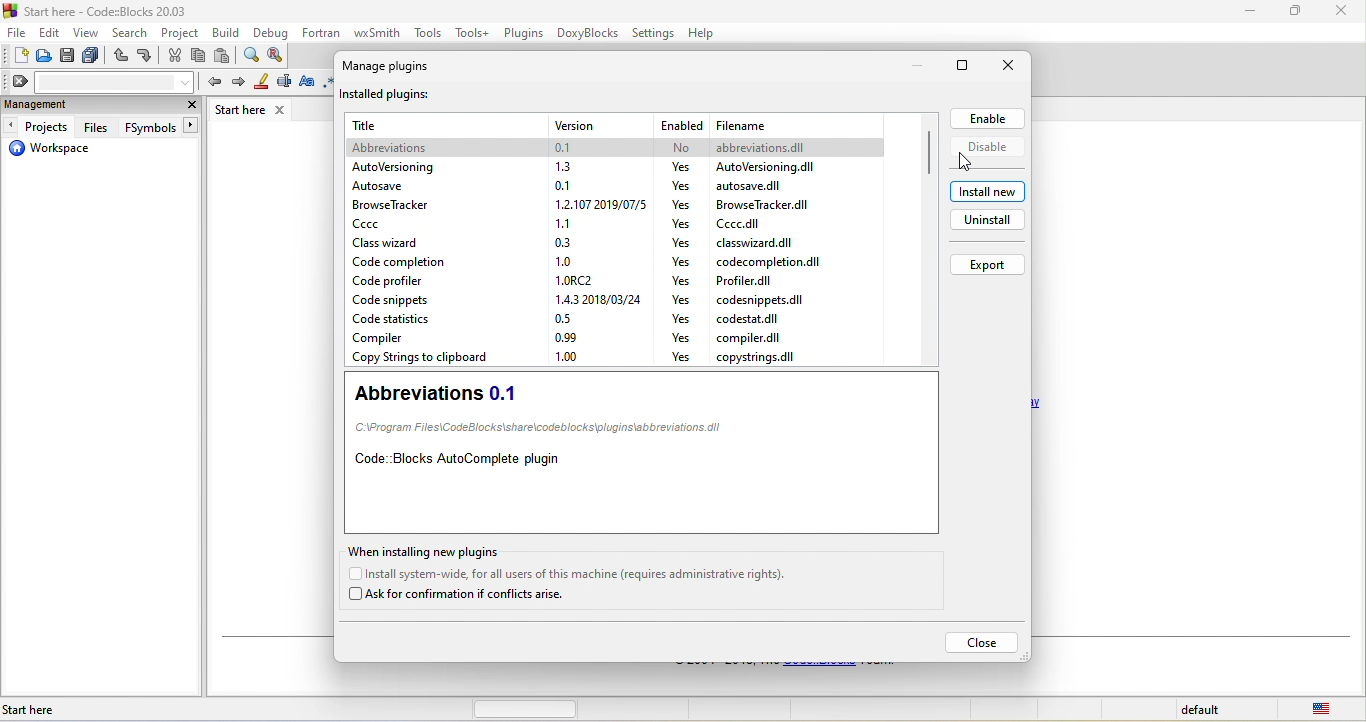 The width and height of the screenshot is (1366, 722). I want to click on fsymbols, so click(158, 126).